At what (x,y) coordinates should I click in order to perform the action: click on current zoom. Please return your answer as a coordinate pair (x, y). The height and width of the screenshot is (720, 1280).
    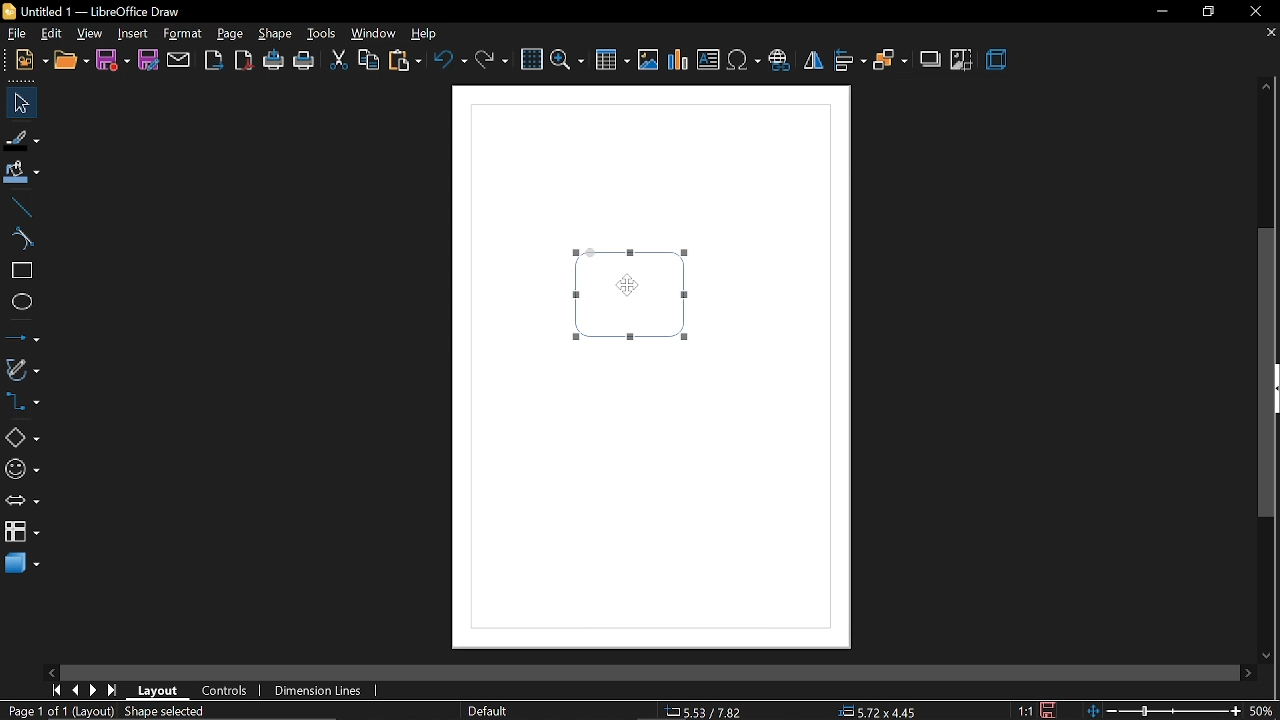
    Looking at the image, I should click on (1262, 712).